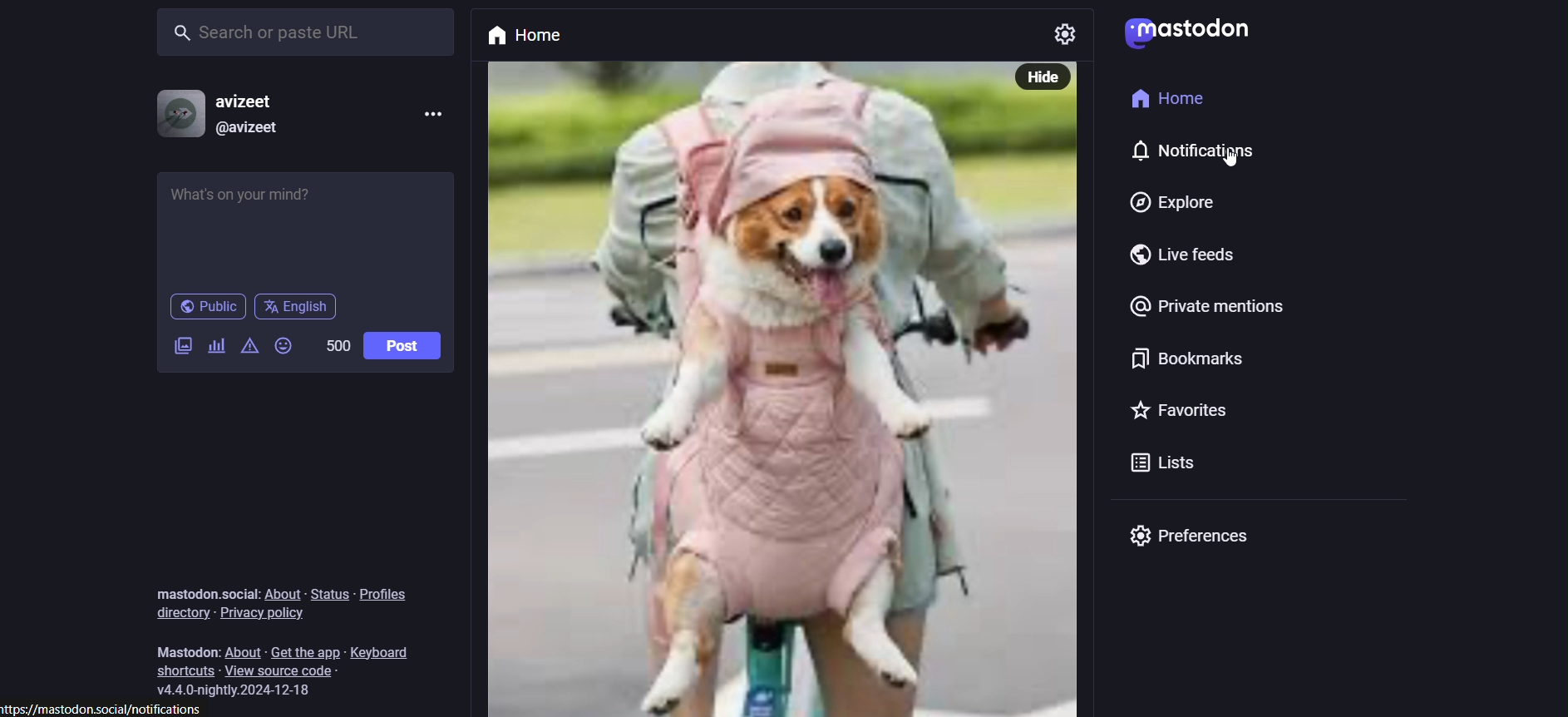  What do you see at coordinates (294, 670) in the screenshot?
I see `view source code` at bounding box center [294, 670].